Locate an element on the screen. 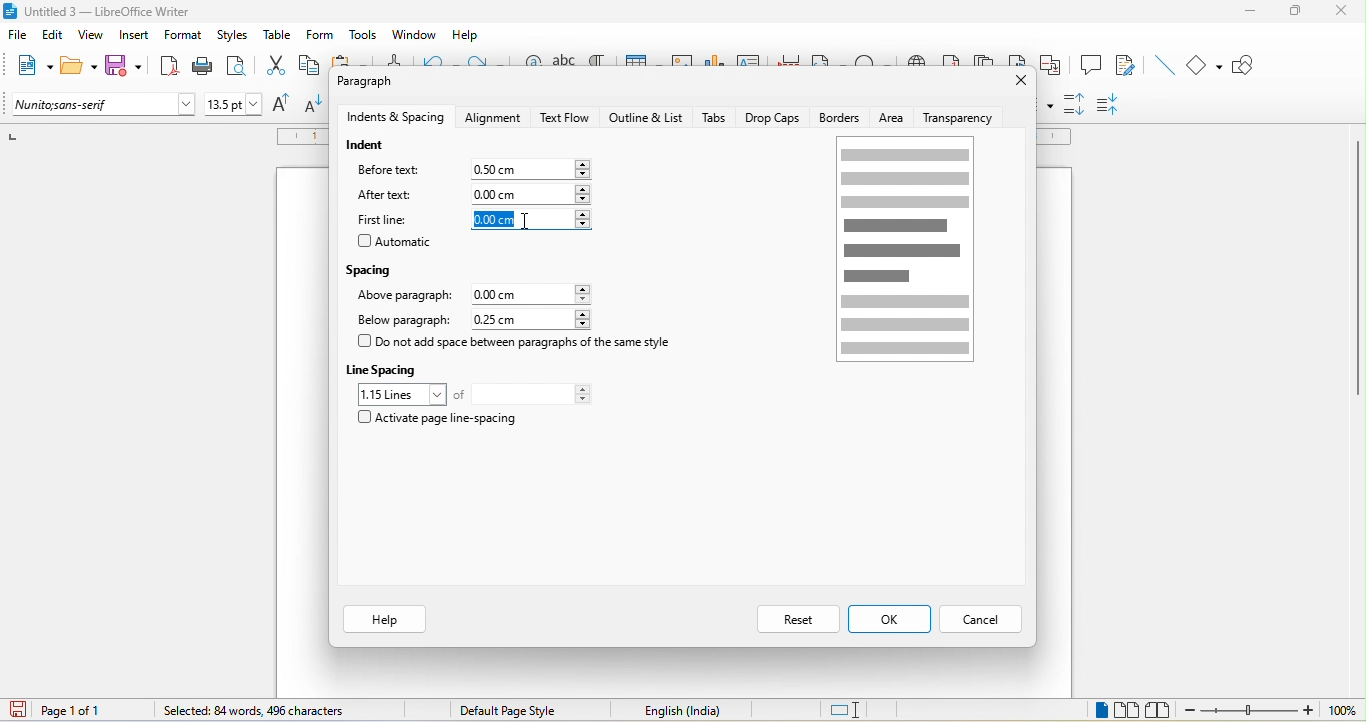 This screenshot has height=722, width=1366. maximize is located at coordinates (1288, 12).